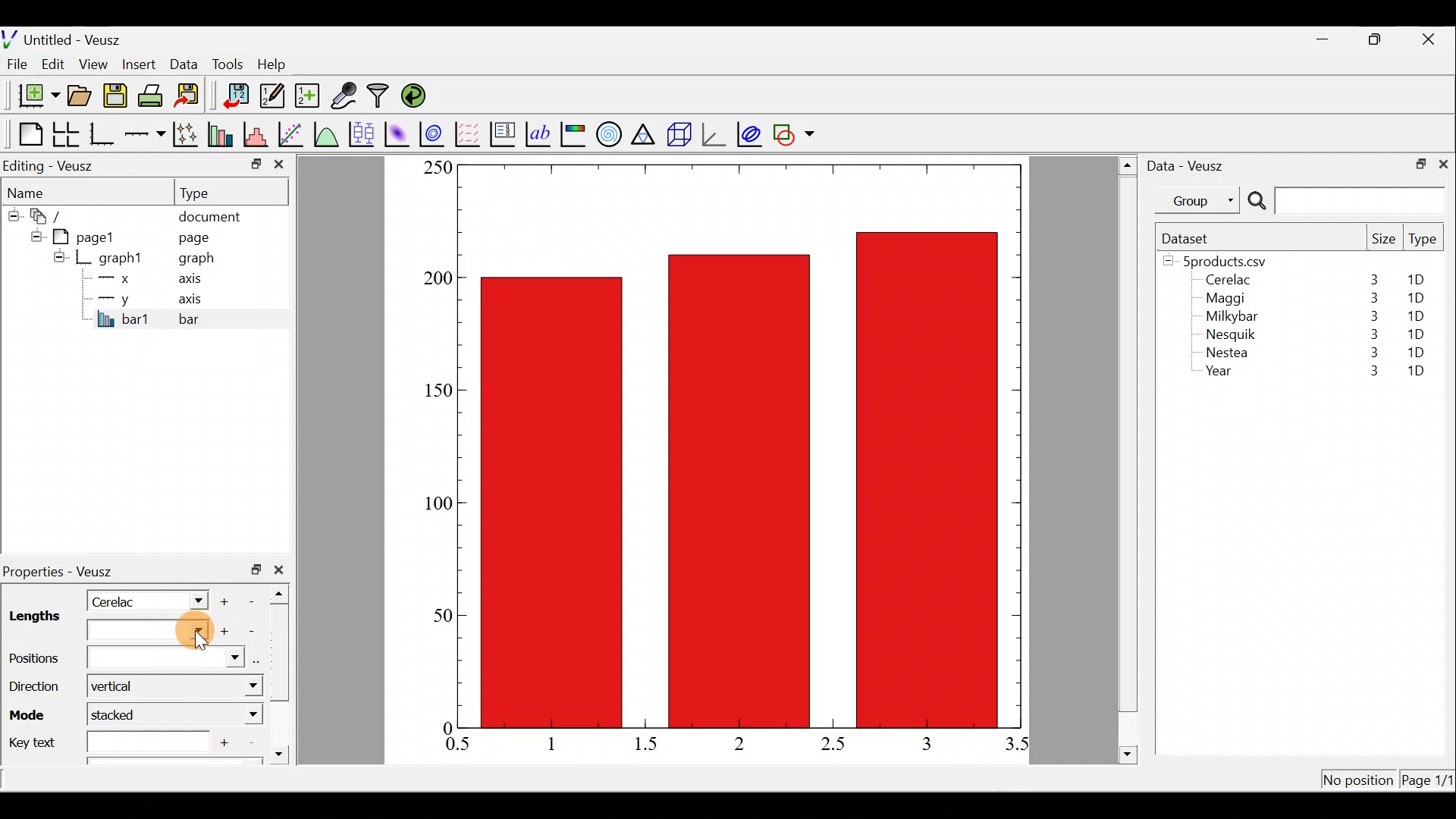 The image size is (1456, 819). What do you see at coordinates (121, 259) in the screenshot?
I see `graph1` at bounding box center [121, 259].